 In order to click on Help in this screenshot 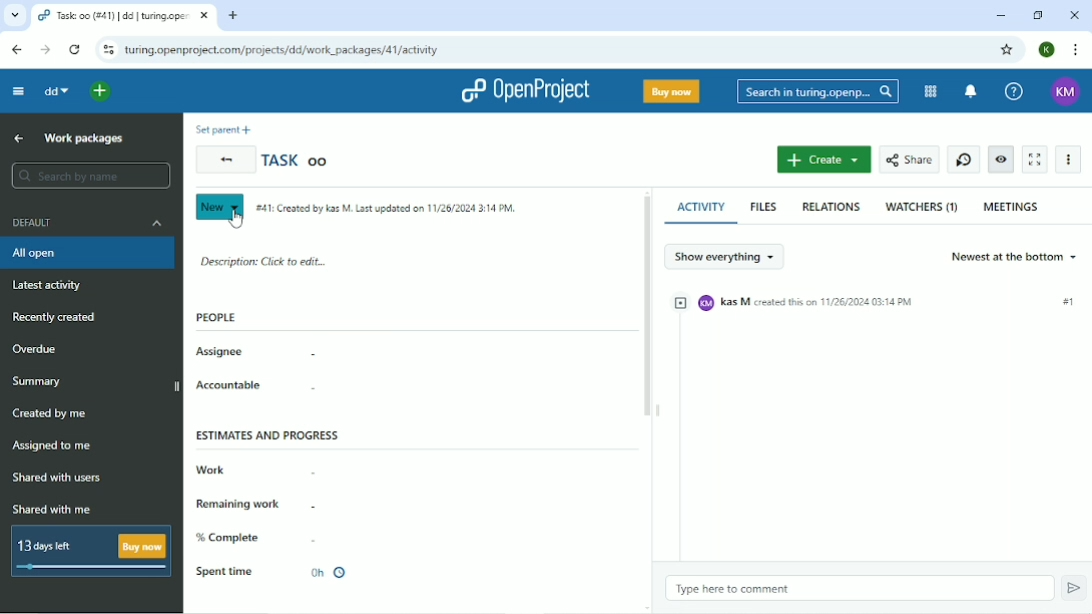, I will do `click(1013, 90)`.